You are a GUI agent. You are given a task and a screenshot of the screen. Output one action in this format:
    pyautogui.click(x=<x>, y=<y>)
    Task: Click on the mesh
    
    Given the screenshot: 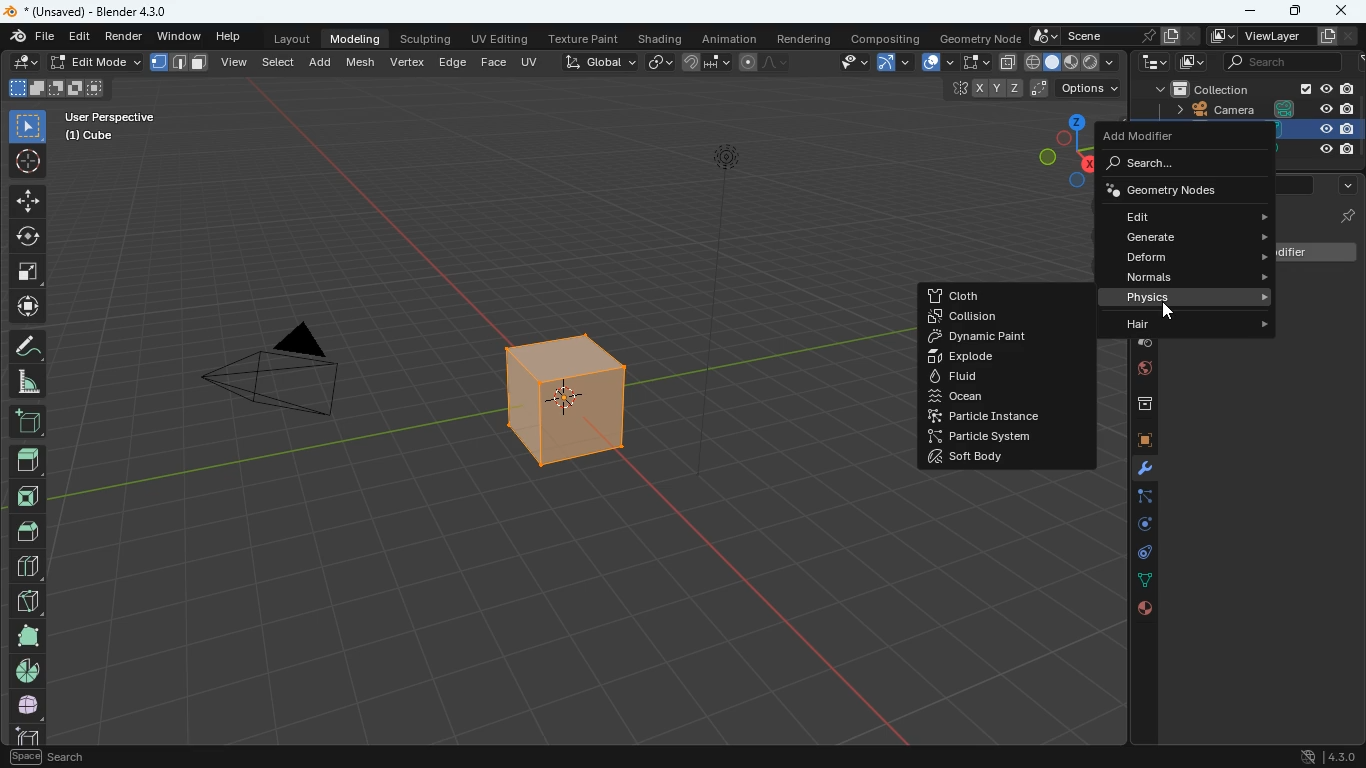 What is the action you would take?
    pyautogui.click(x=363, y=60)
    